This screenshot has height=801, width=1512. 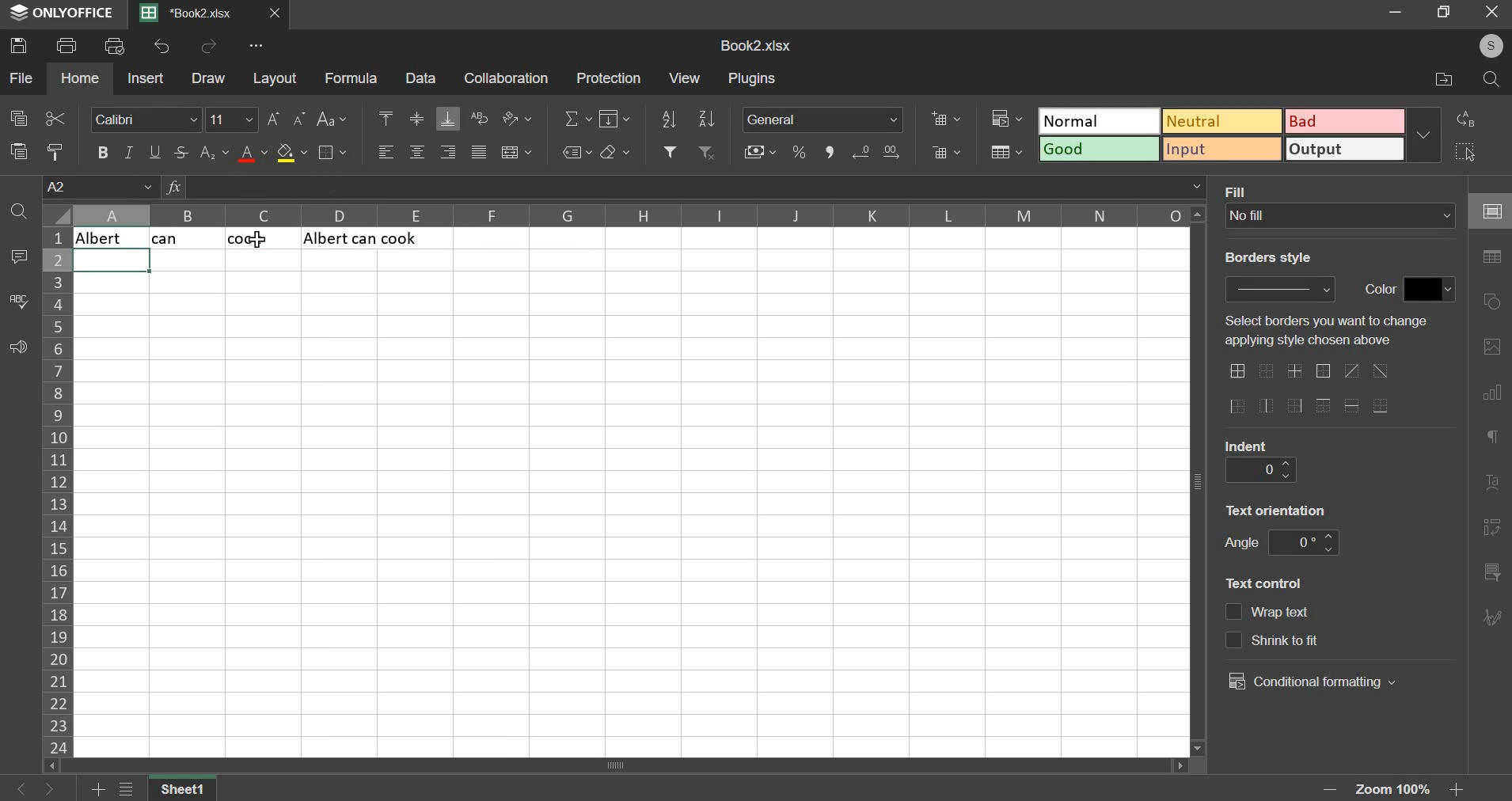 What do you see at coordinates (1490, 575) in the screenshot?
I see `slicer` at bounding box center [1490, 575].